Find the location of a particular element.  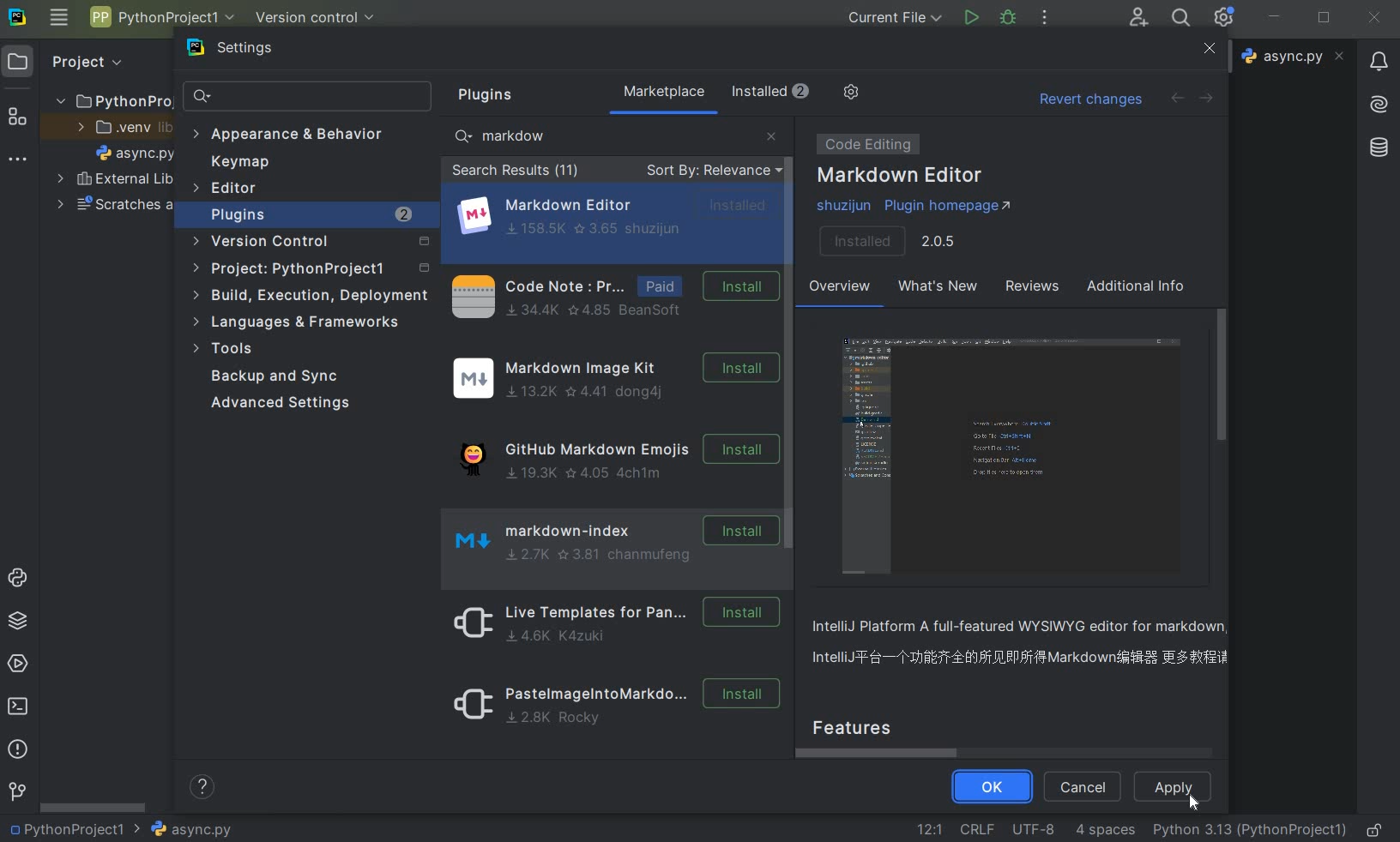

close is located at coordinates (771, 135).